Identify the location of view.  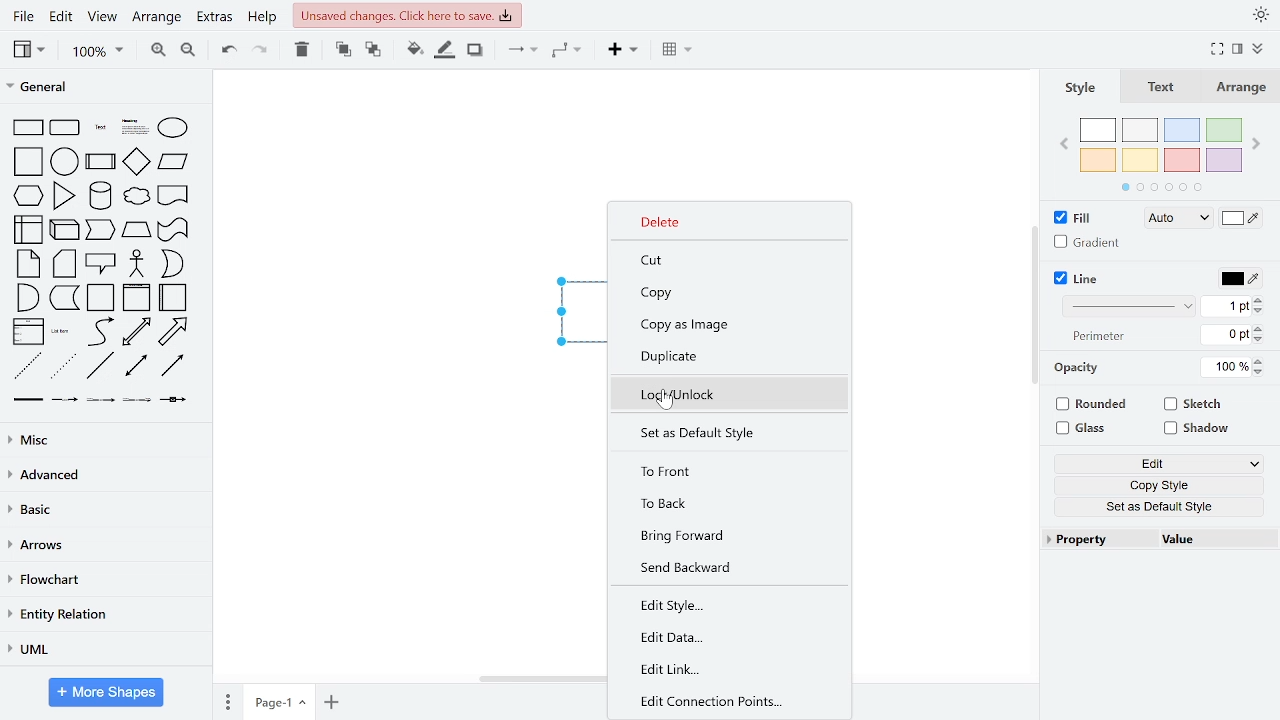
(32, 50).